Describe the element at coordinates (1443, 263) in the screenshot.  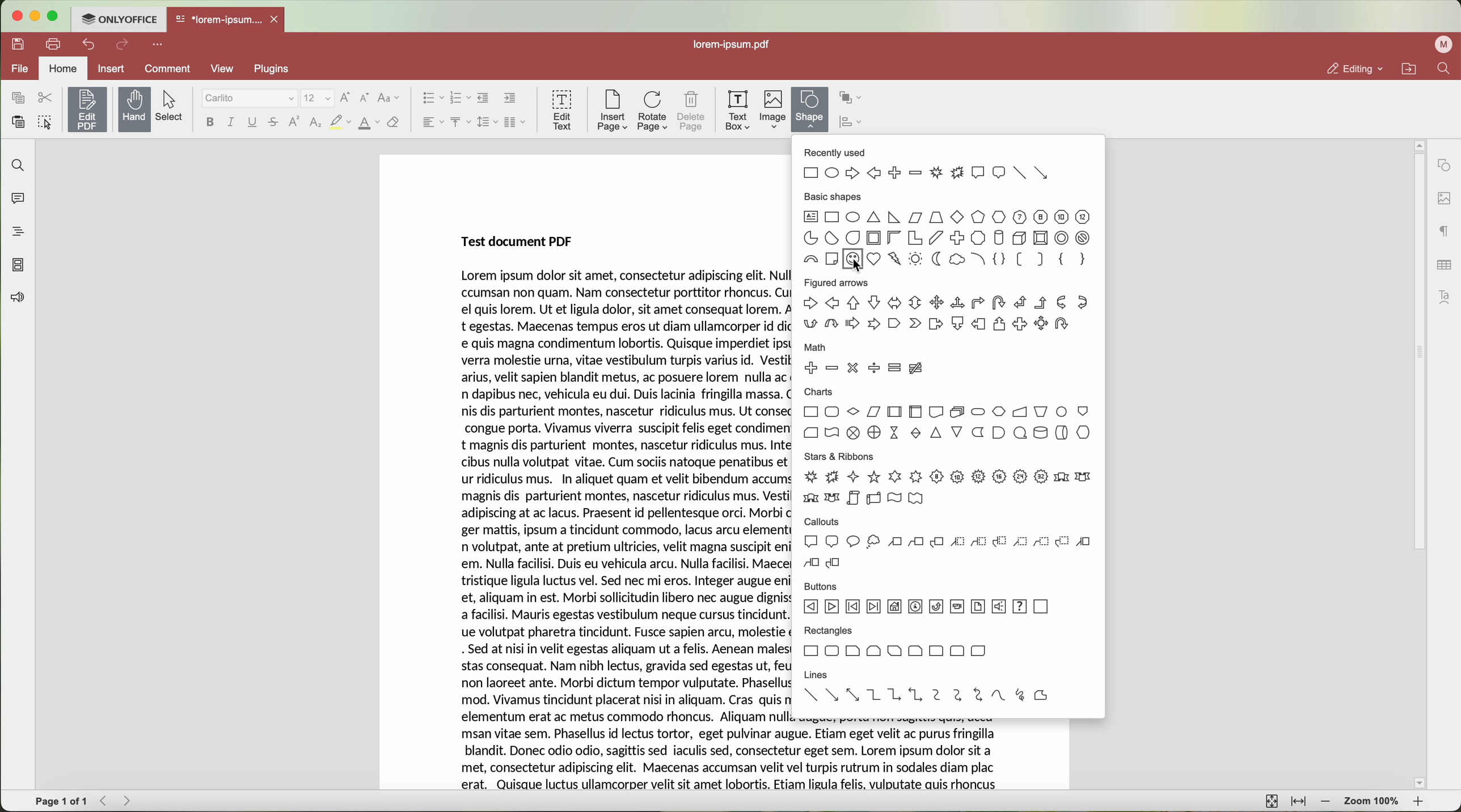
I see `table settings` at that location.